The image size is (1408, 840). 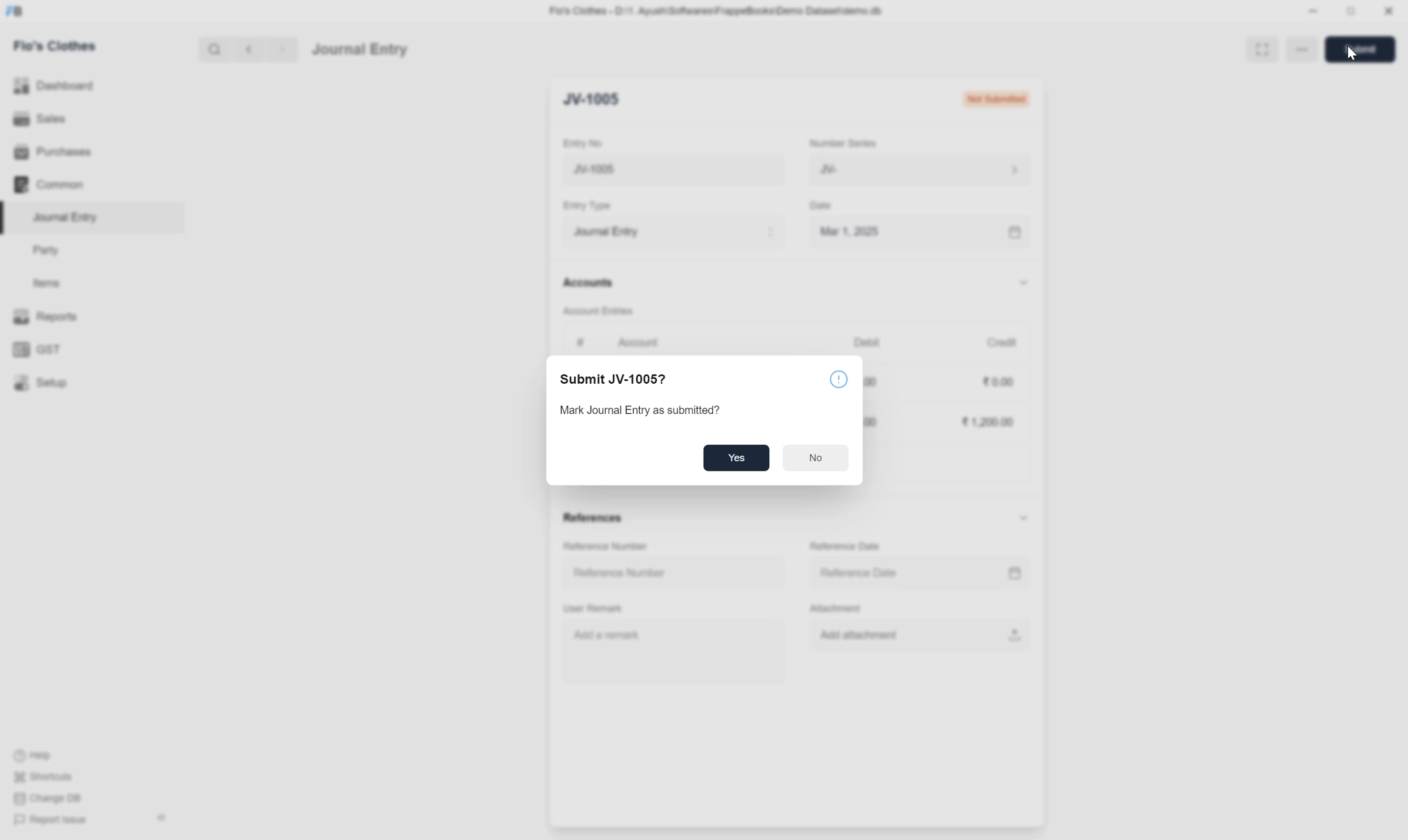 I want to click on Reference Number, so click(x=620, y=573).